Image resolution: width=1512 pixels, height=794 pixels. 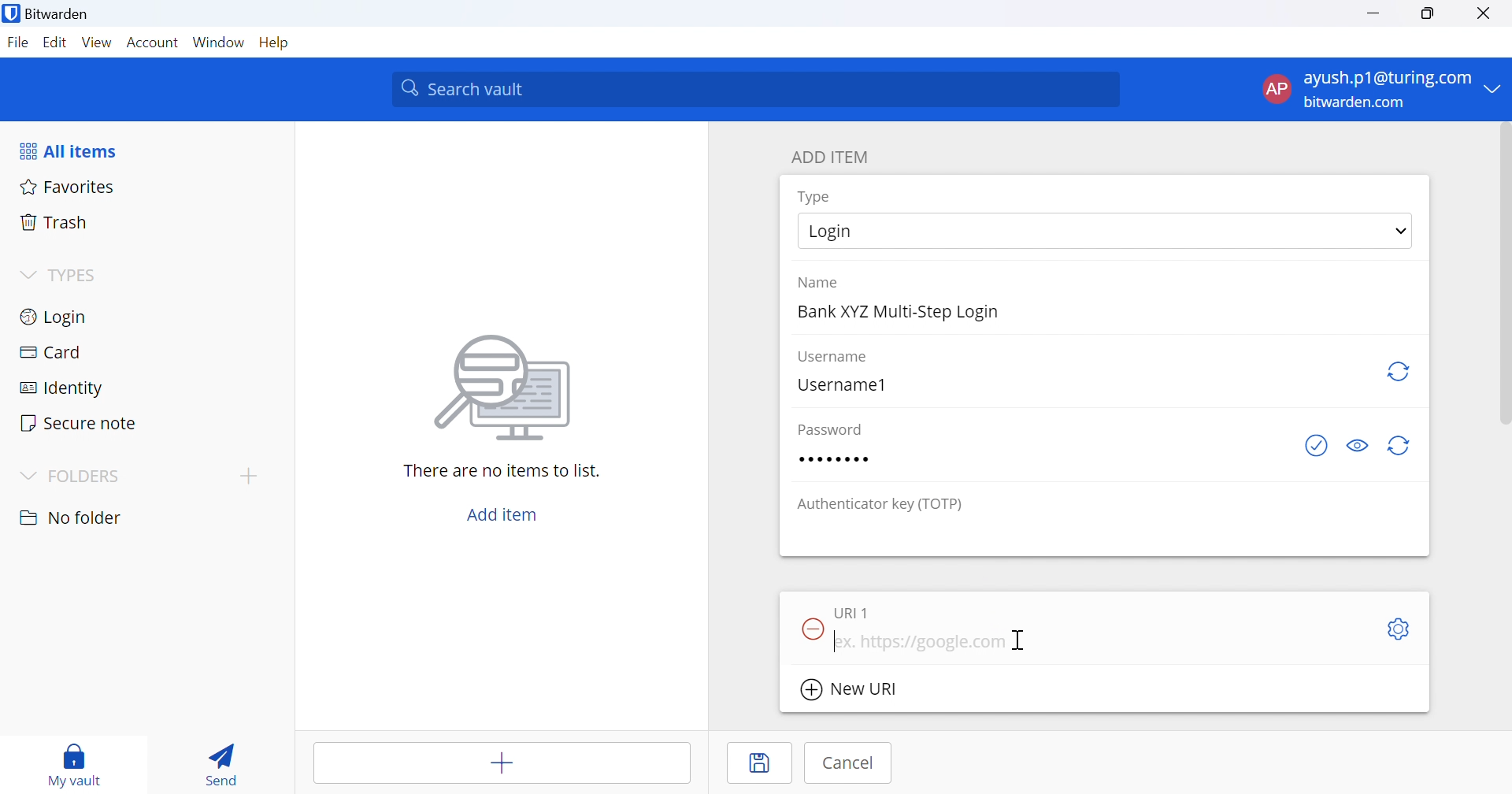 What do you see at coordinates (56, 315) in the screenshot?
I see `Login` at bounding box center [56, 315].